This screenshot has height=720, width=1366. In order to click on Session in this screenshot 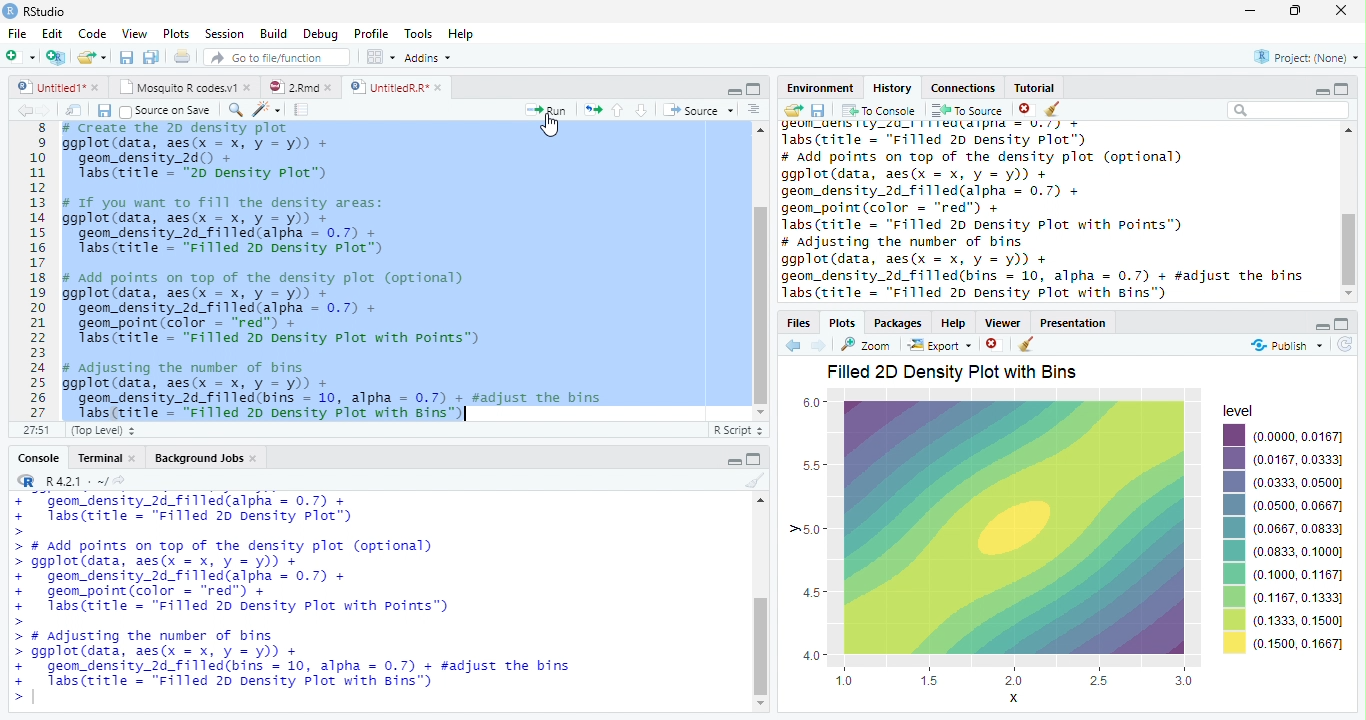, I will do `click(225, 34)`.